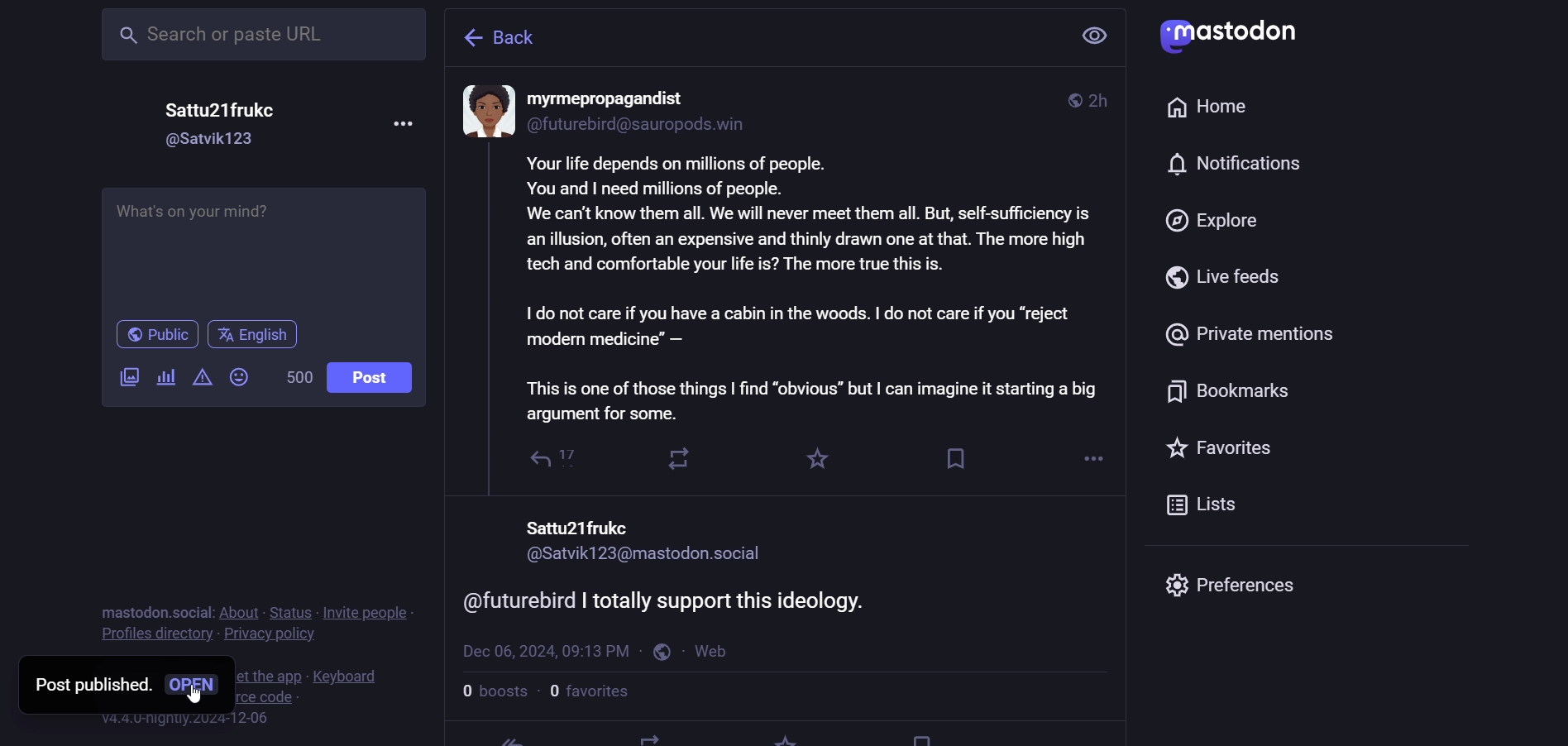  I want to click on id, so click(648, 553).